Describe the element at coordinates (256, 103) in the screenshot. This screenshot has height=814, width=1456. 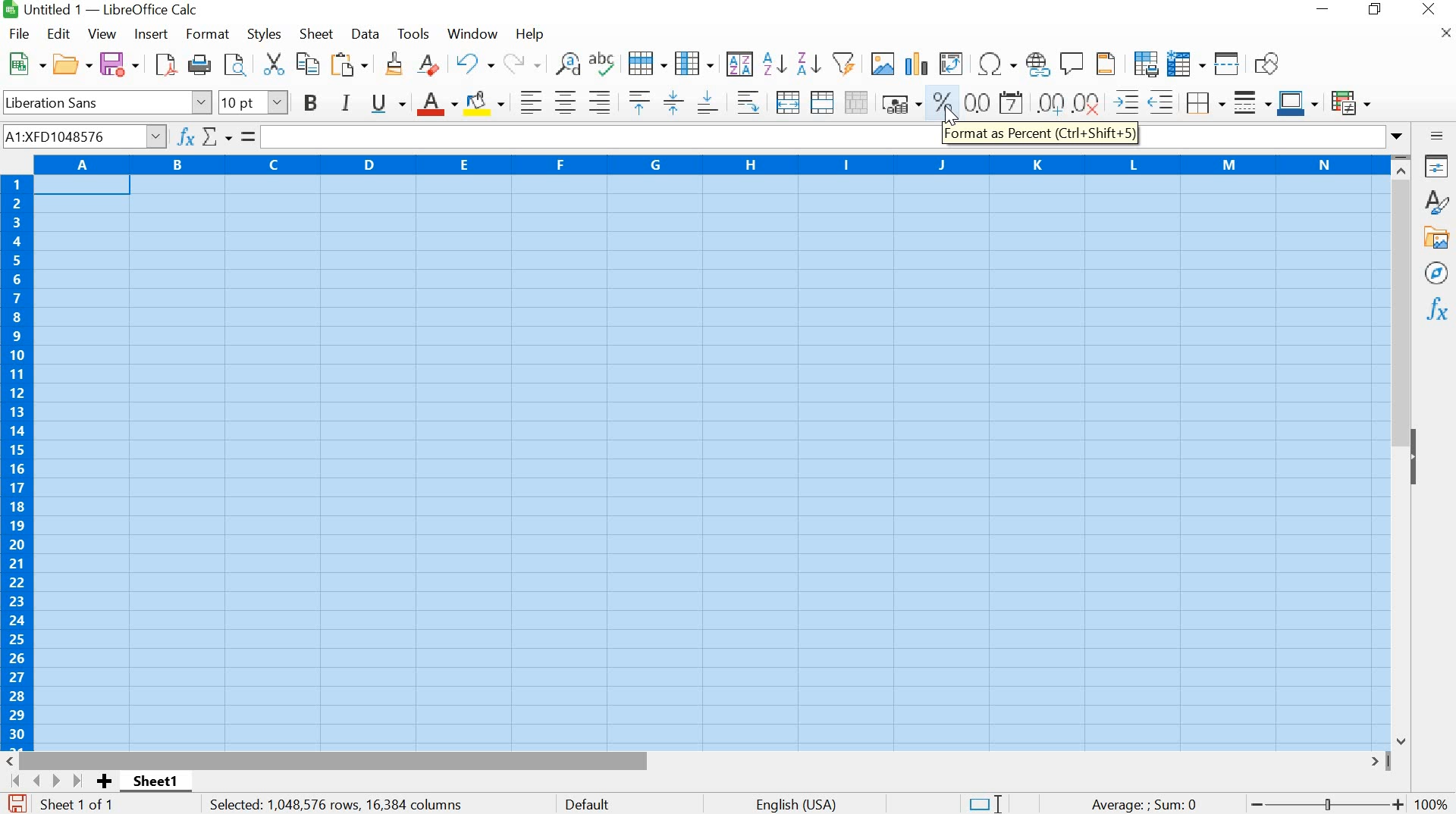
I see `FONT SIZE` at that location.